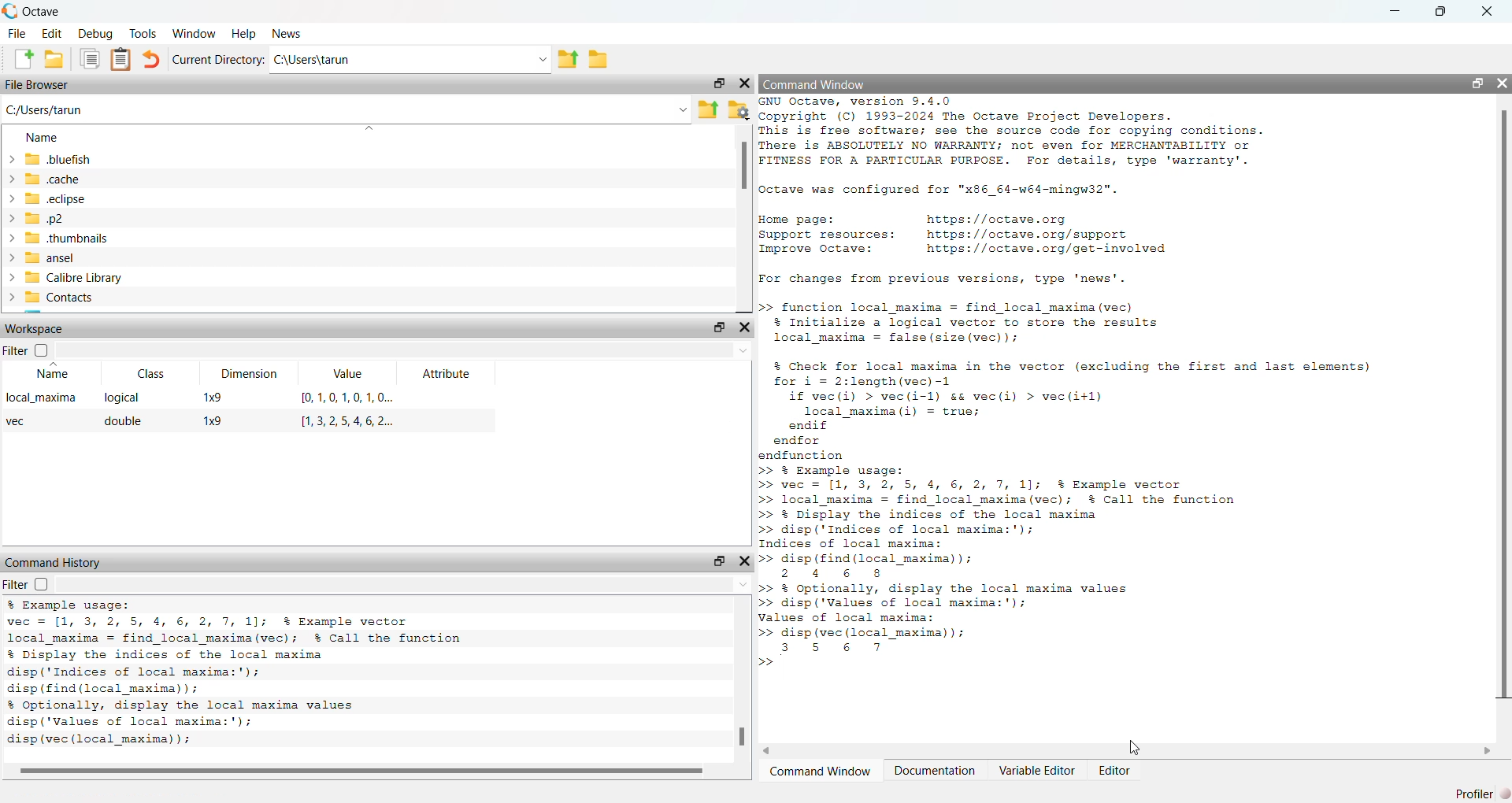 Image resolution: width=1512 pixels, height=803 pixels. Describe the element at coordinates (817, 83) in the screenshot. I see `Command Window` at that location.